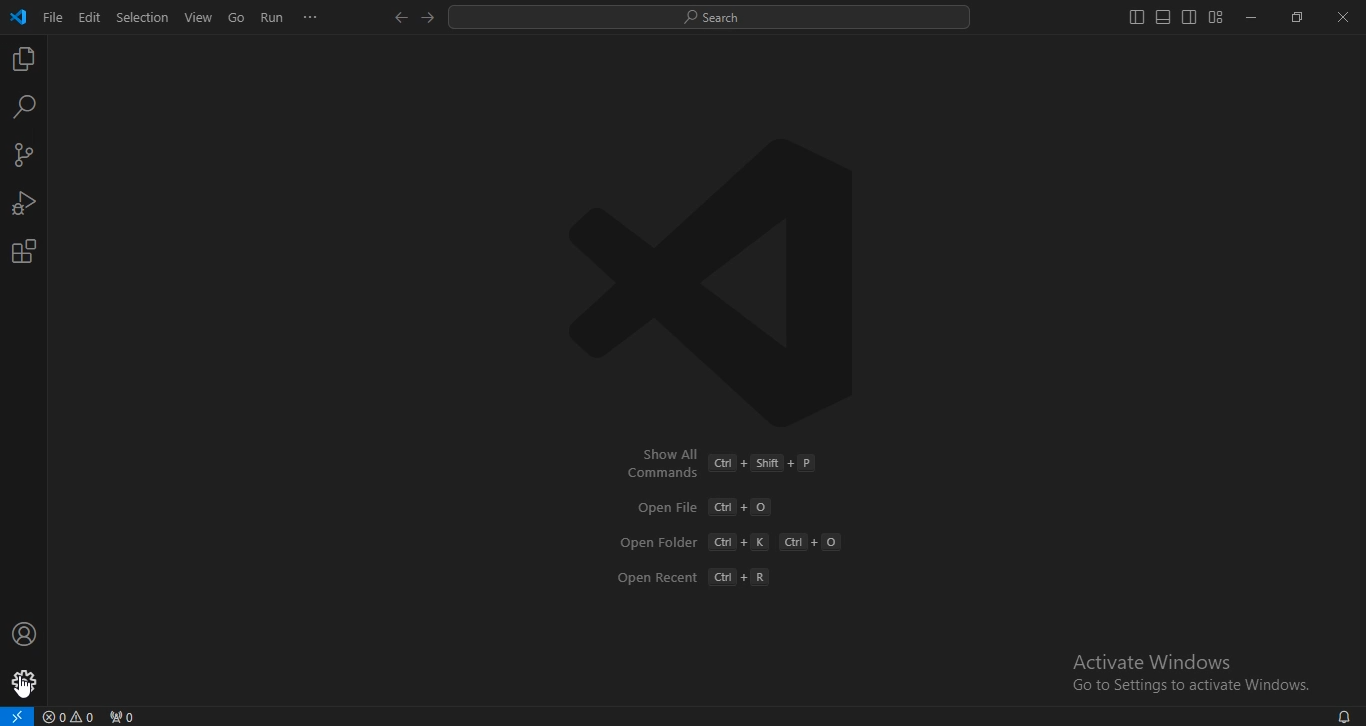 The image size is (1366, 726). Describe the element at coordinates (1215, 17) in the screenshot. I see `customize layout` at that location.